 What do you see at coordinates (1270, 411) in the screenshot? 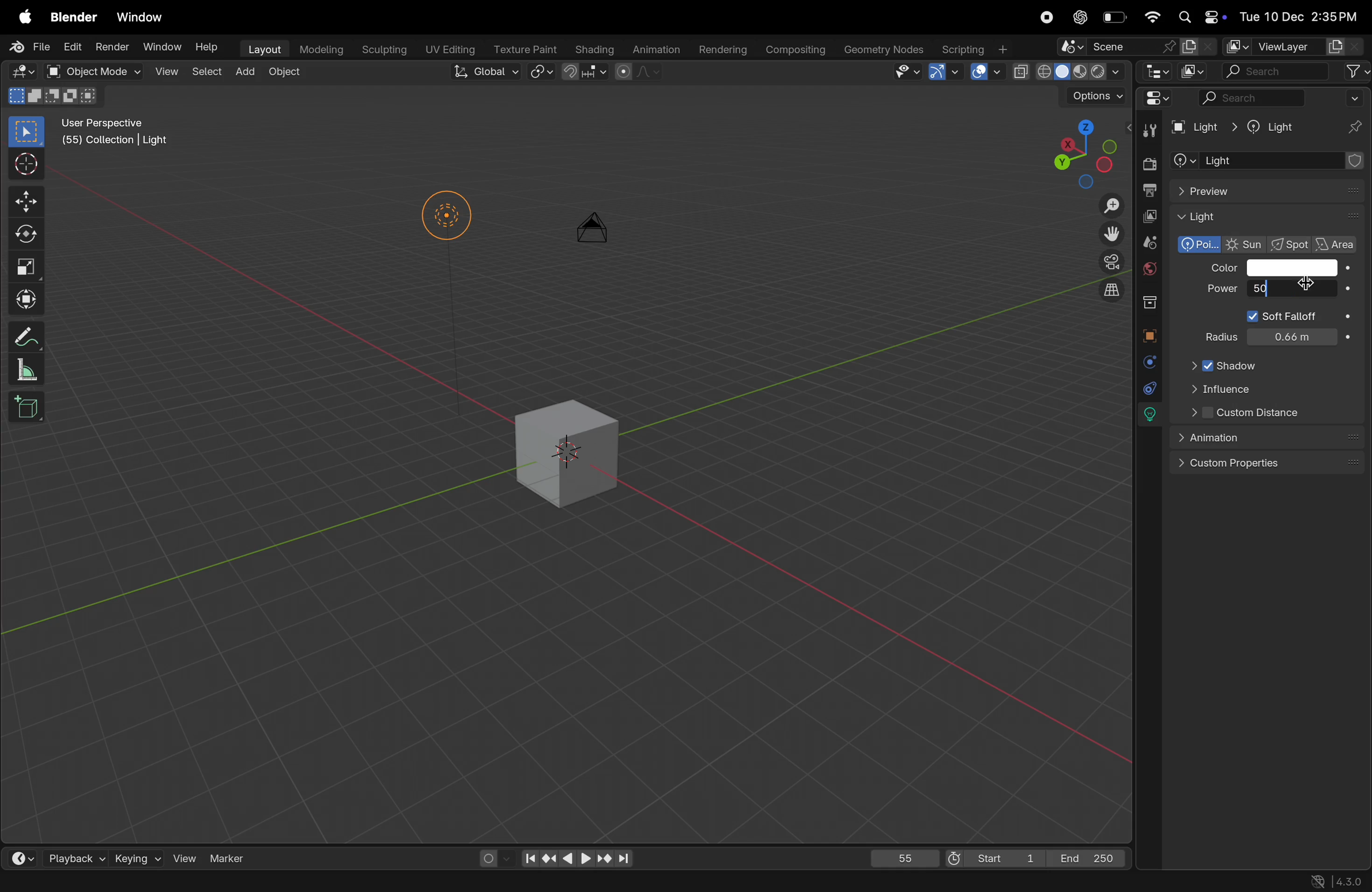
I see `Custom distance` at bounding box center [1270, 411].